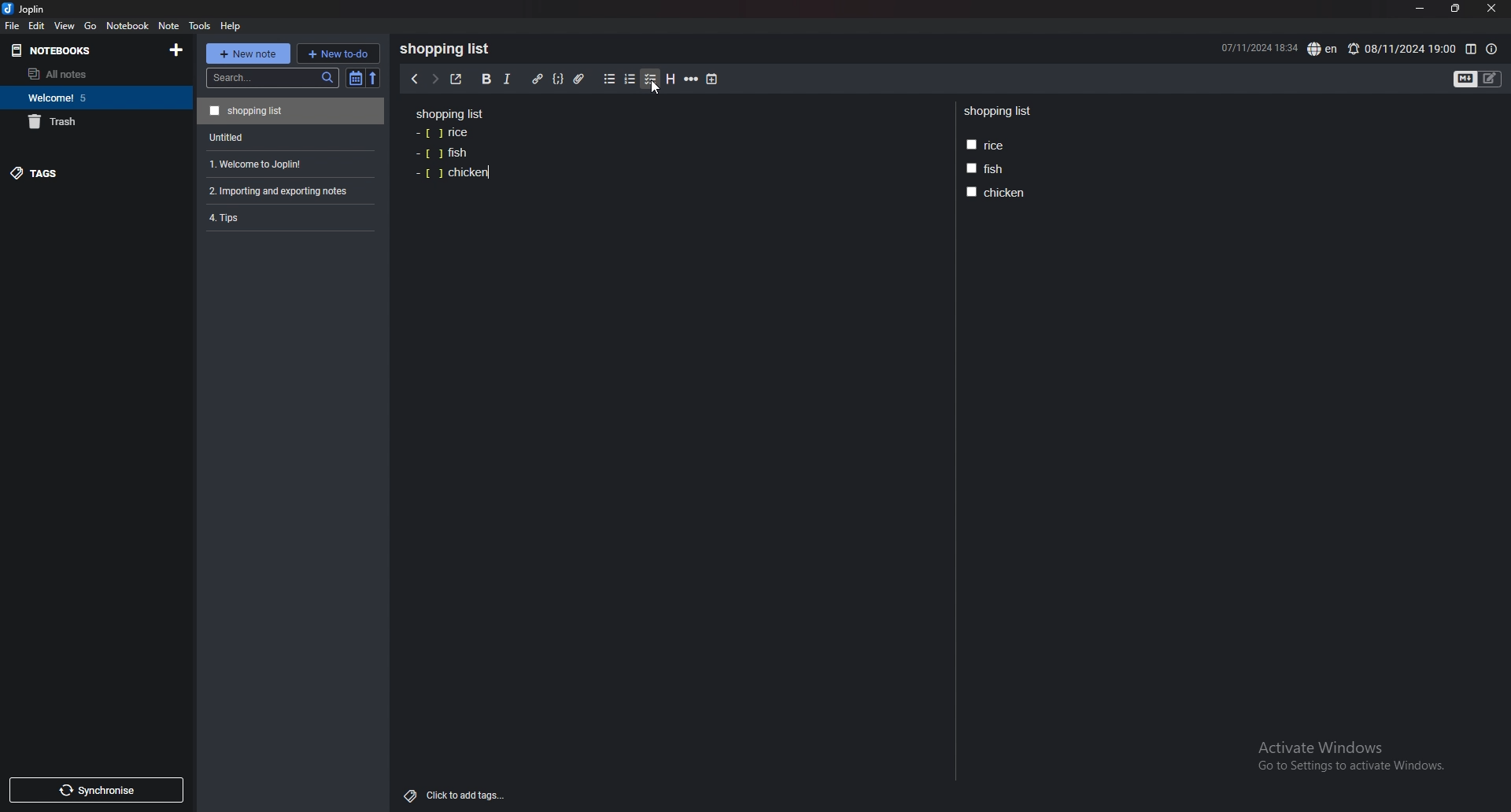 The width and height of the screenshot is (1511, 812). I want to click on toggle sort order, so click(356, 78).